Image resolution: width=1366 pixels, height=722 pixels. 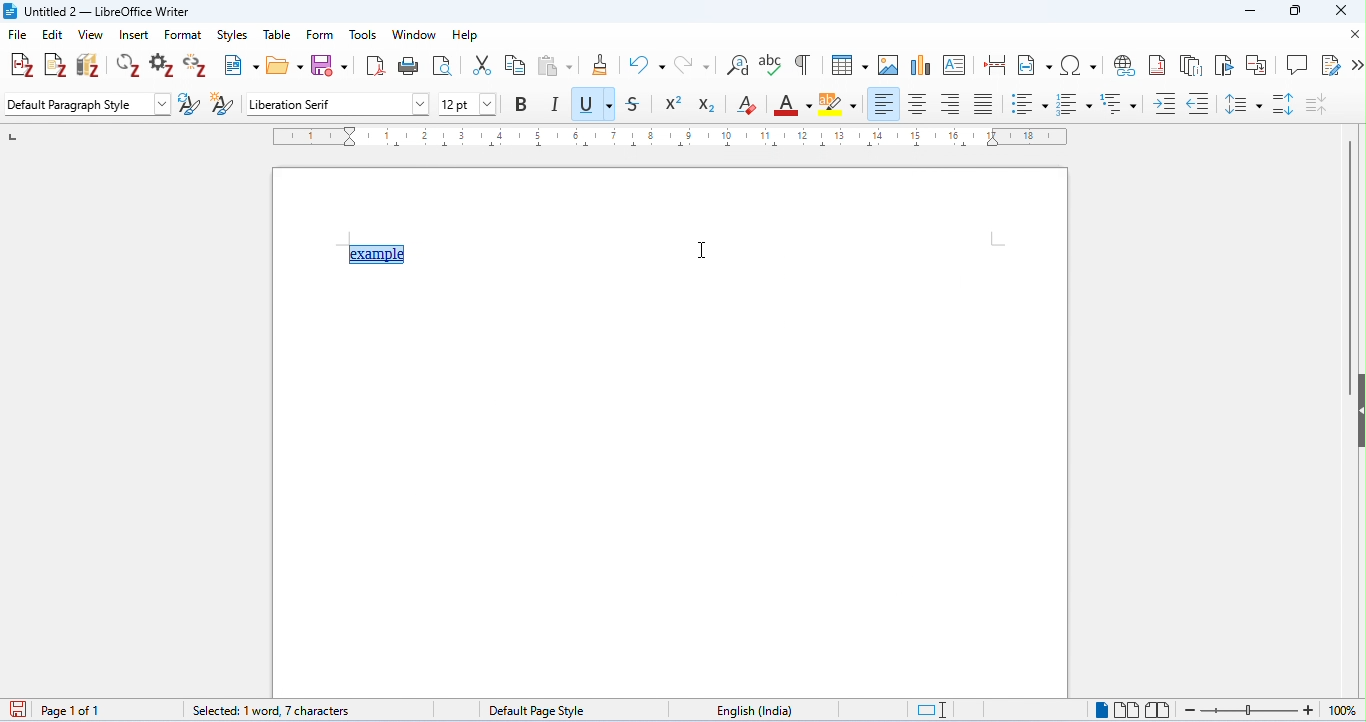 What do you see at coordinates (190, 105) in the screenshot?
I see `update selected style` at bounding box center [190, 105].